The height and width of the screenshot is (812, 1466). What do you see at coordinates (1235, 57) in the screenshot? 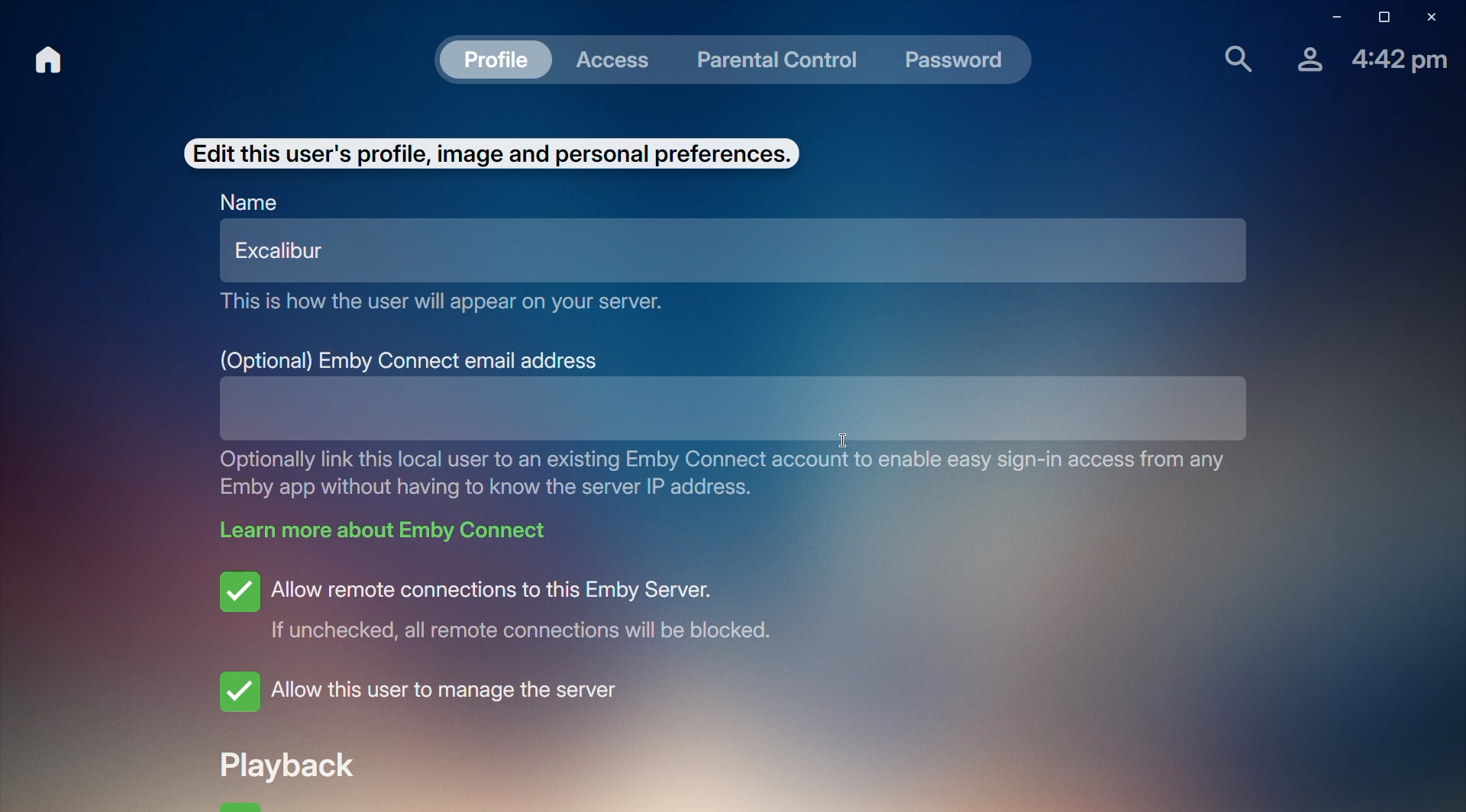
I see `Find` at bounding box center [1235, 57].